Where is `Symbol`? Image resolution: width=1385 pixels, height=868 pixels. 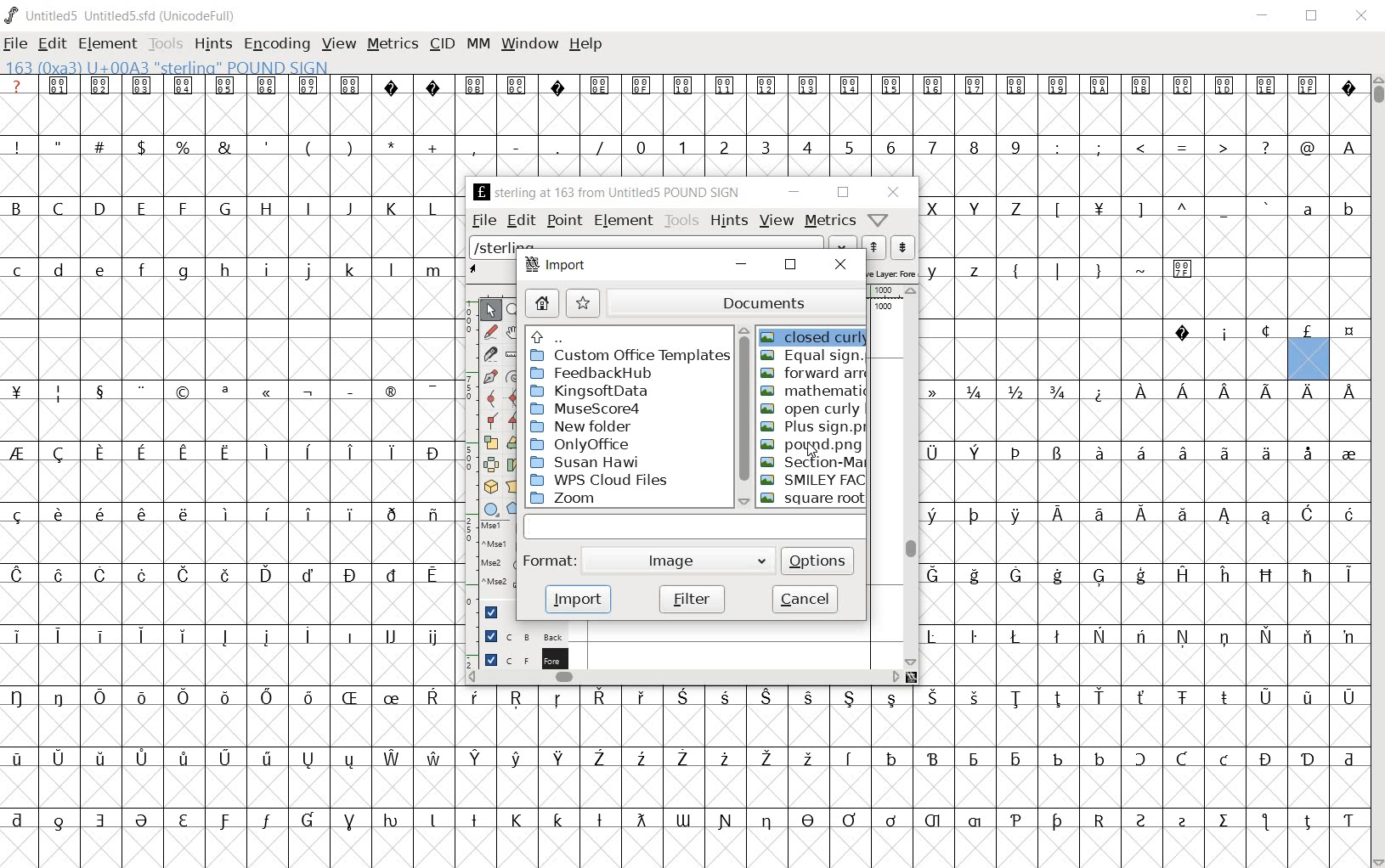 Symbol is located at coordinates (1017, 85).